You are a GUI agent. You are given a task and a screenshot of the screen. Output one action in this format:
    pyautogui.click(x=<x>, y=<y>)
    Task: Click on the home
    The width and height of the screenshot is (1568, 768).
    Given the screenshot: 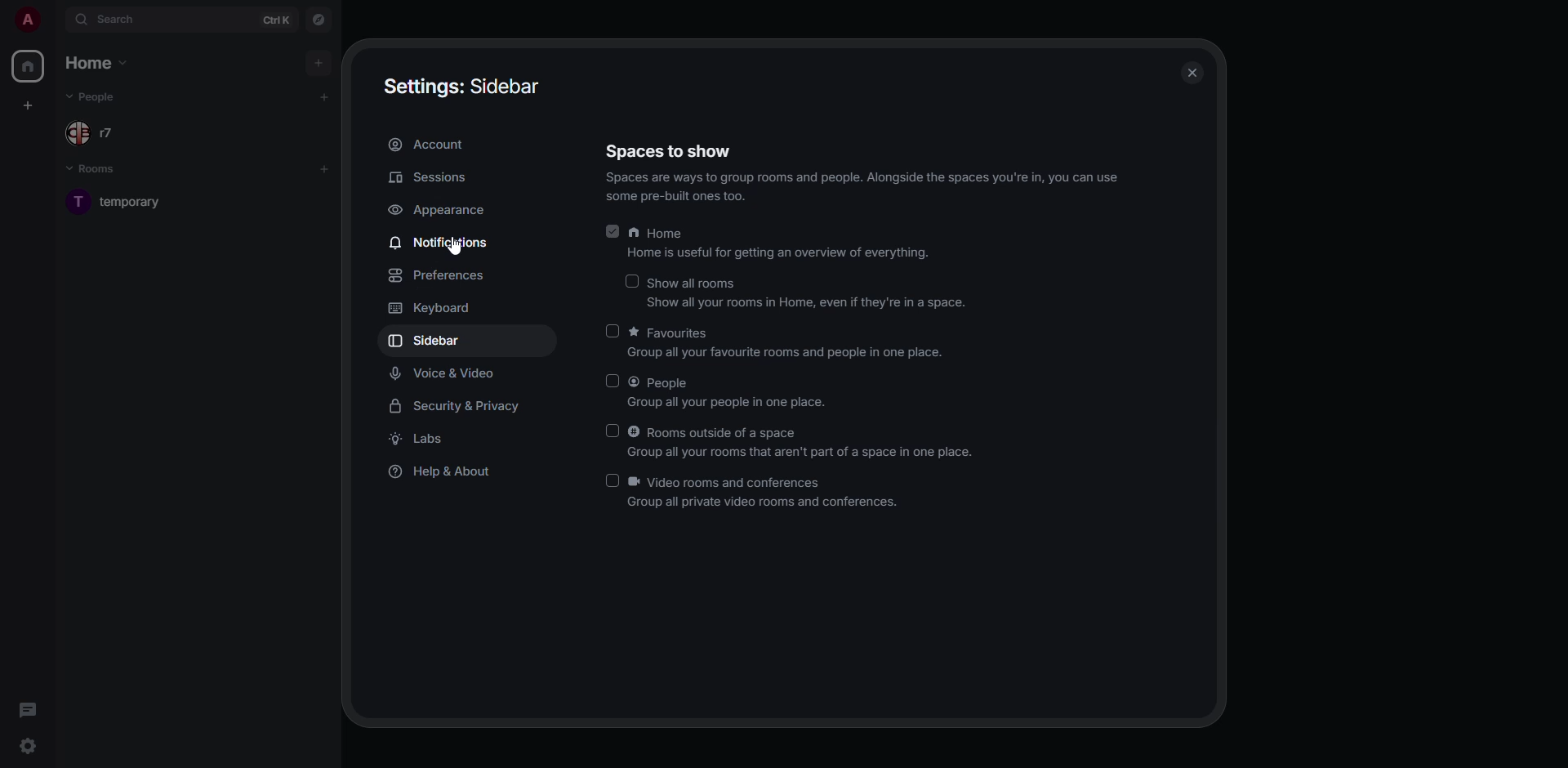 What is the action you would take?
    pyautogui.click(x=100, y=64)
    